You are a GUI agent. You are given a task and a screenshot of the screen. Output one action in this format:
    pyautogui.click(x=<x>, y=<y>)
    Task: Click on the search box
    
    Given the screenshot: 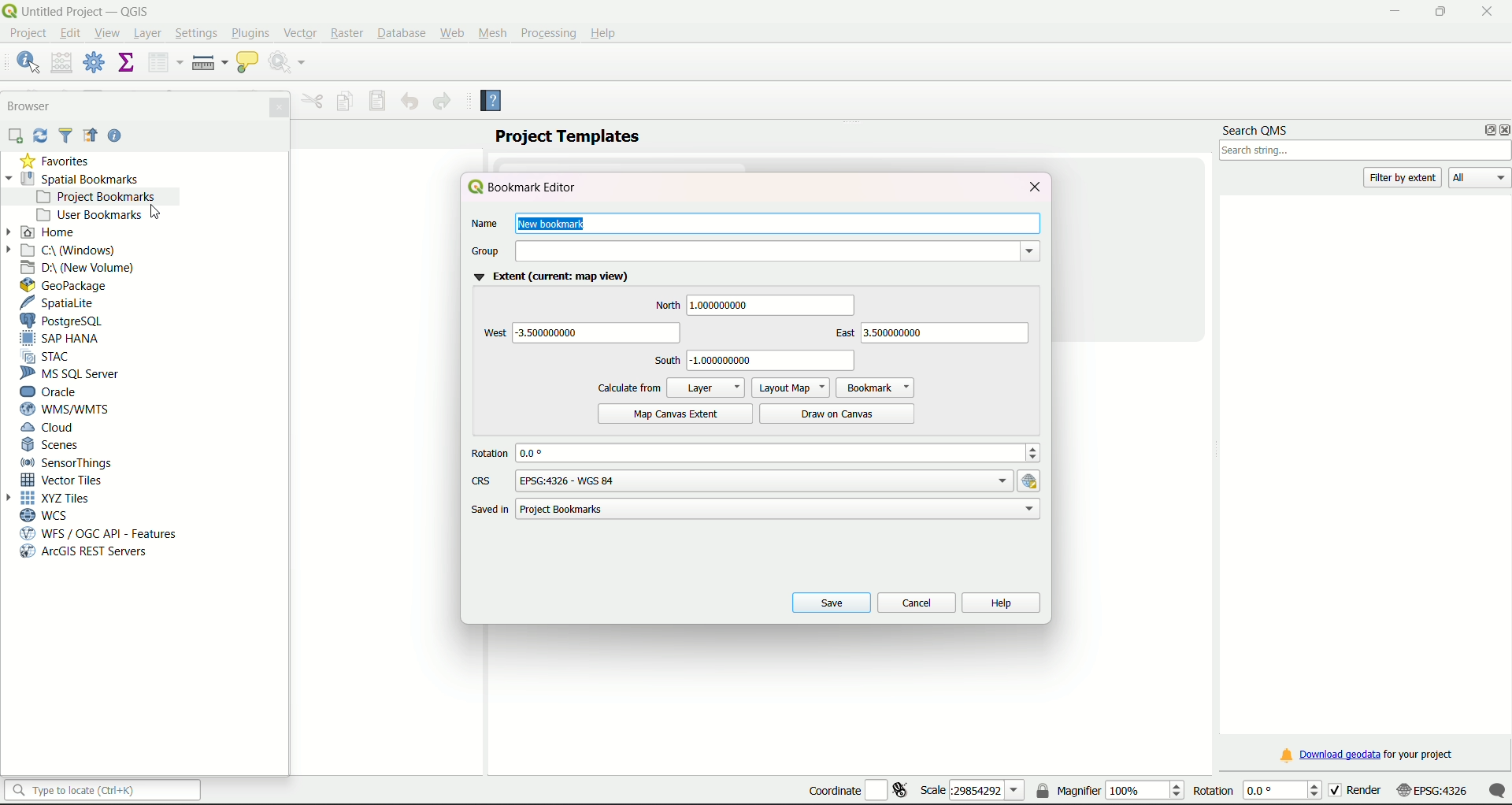 What is the action you would take?
    pyautogui.click(x=1366, y=151)
    